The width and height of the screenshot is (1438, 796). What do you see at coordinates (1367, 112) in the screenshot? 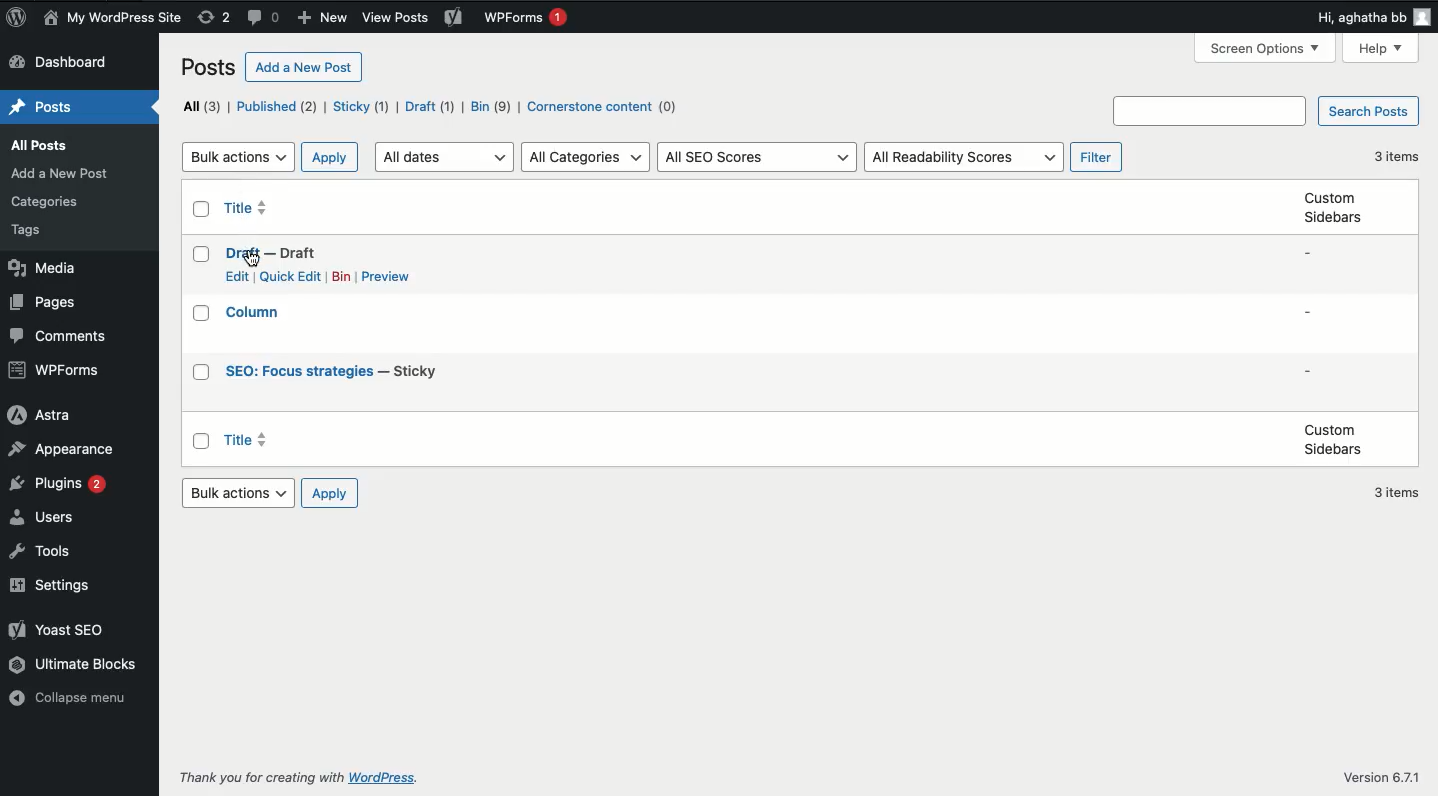
I see `Search posts` at bounding box center [1367, 112].